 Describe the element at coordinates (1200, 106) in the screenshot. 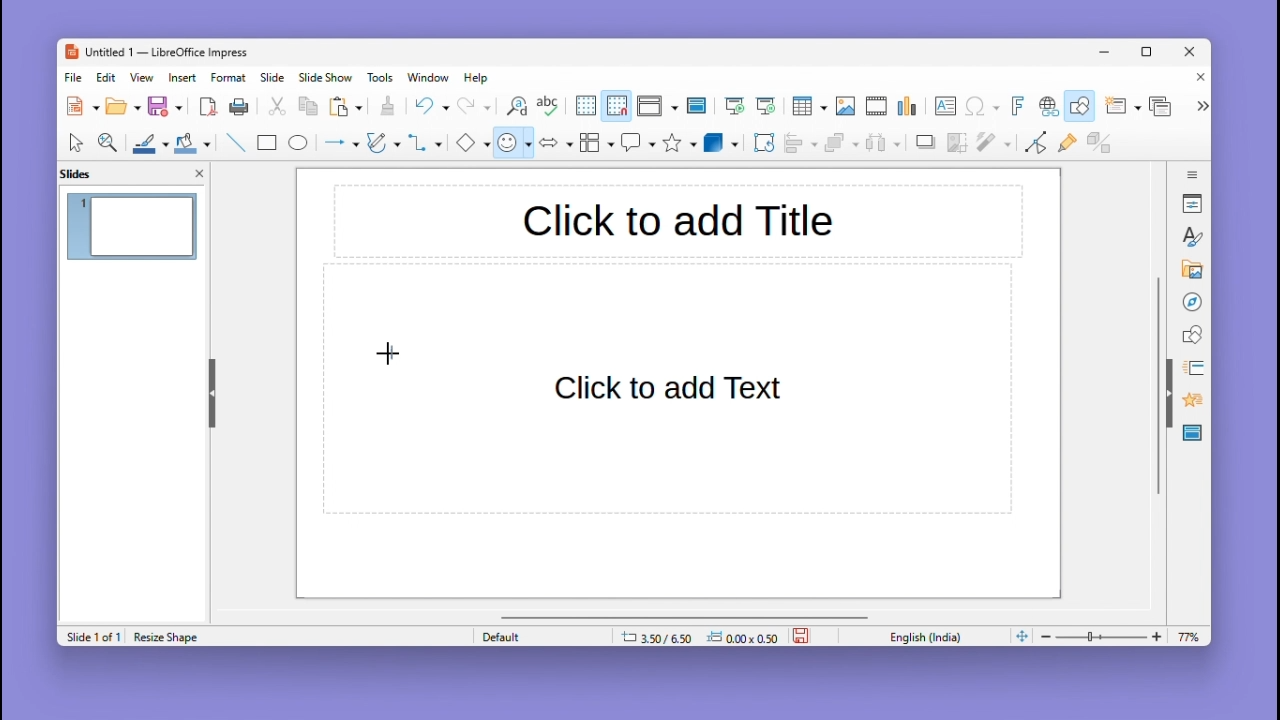

I see `expand` at that location.